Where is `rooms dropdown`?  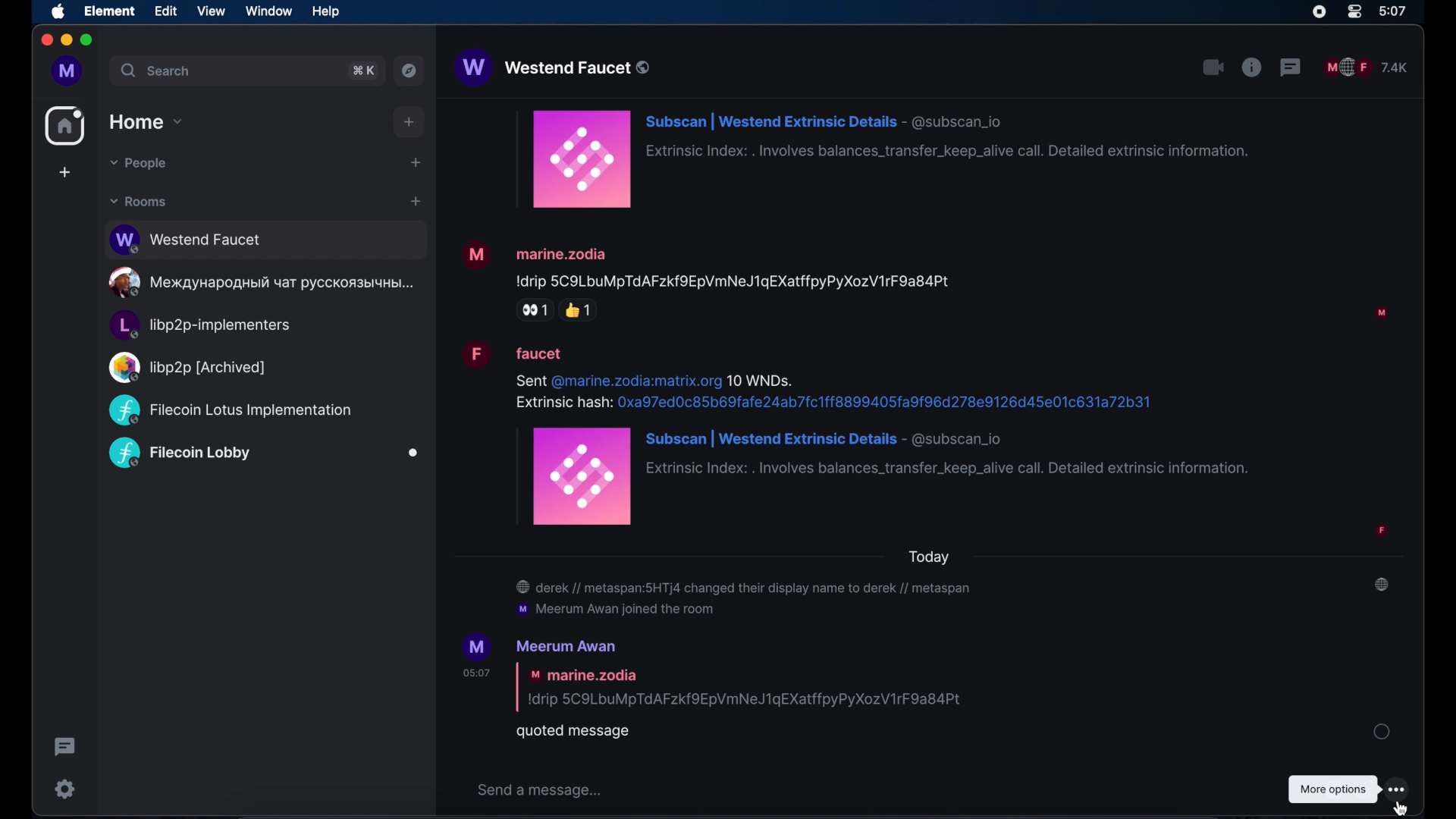
rooms dropdown is located at coordinates (138, 202).